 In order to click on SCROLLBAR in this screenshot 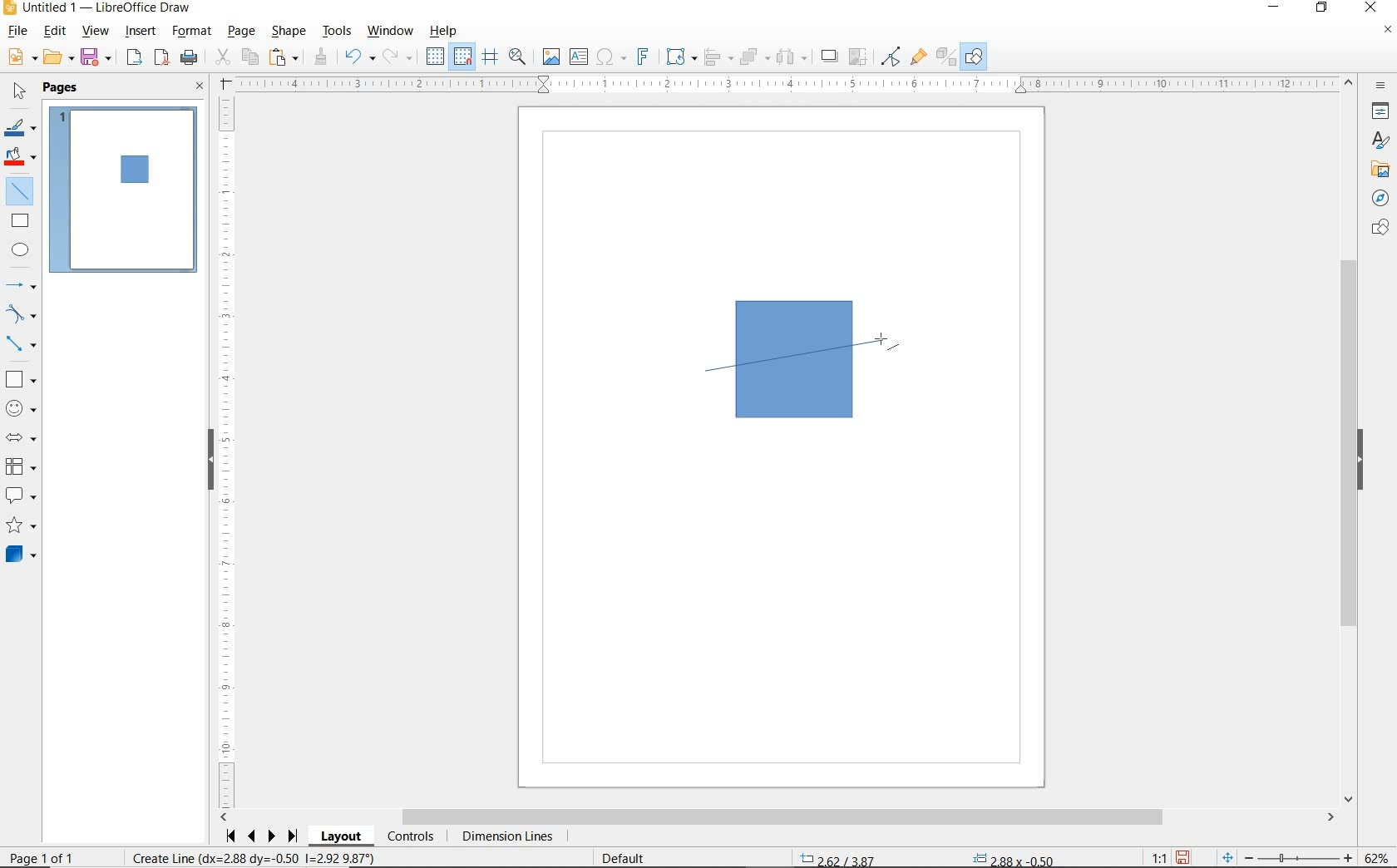, I will do `click(1351, 440)`.